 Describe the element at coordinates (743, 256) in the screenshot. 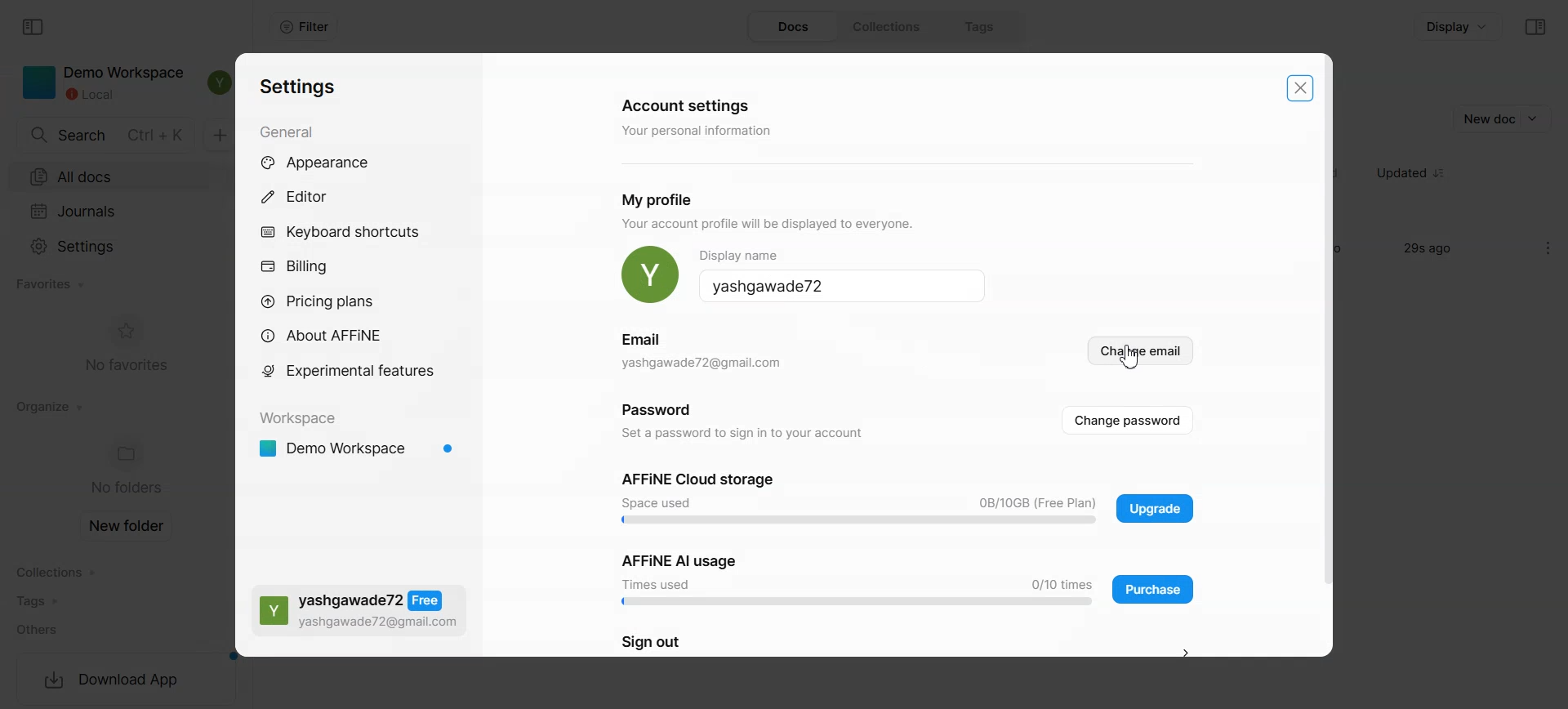

I see `display name` at that location.